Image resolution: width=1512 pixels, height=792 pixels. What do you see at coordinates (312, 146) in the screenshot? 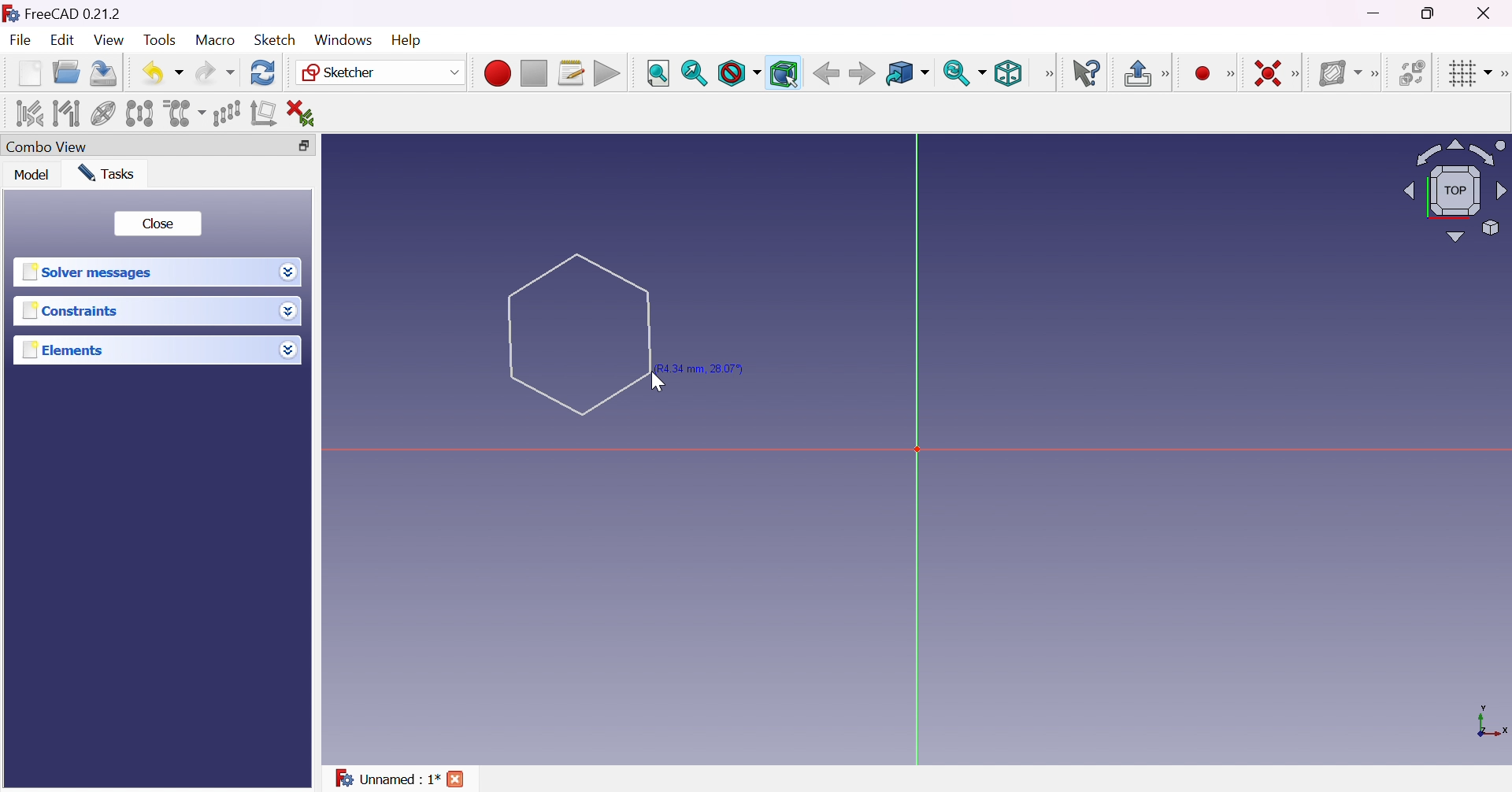
I see `Restore down` at bounding box center [312, 146].